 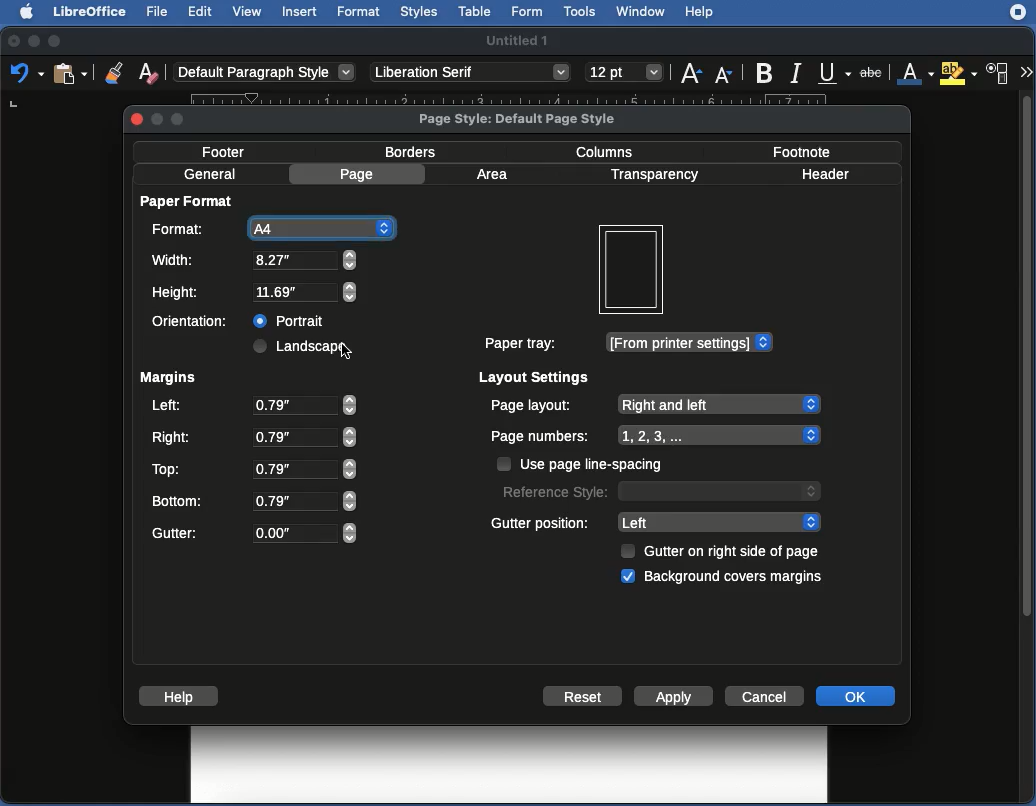 I want to click on Printer settings, so click(x=690, y=343).